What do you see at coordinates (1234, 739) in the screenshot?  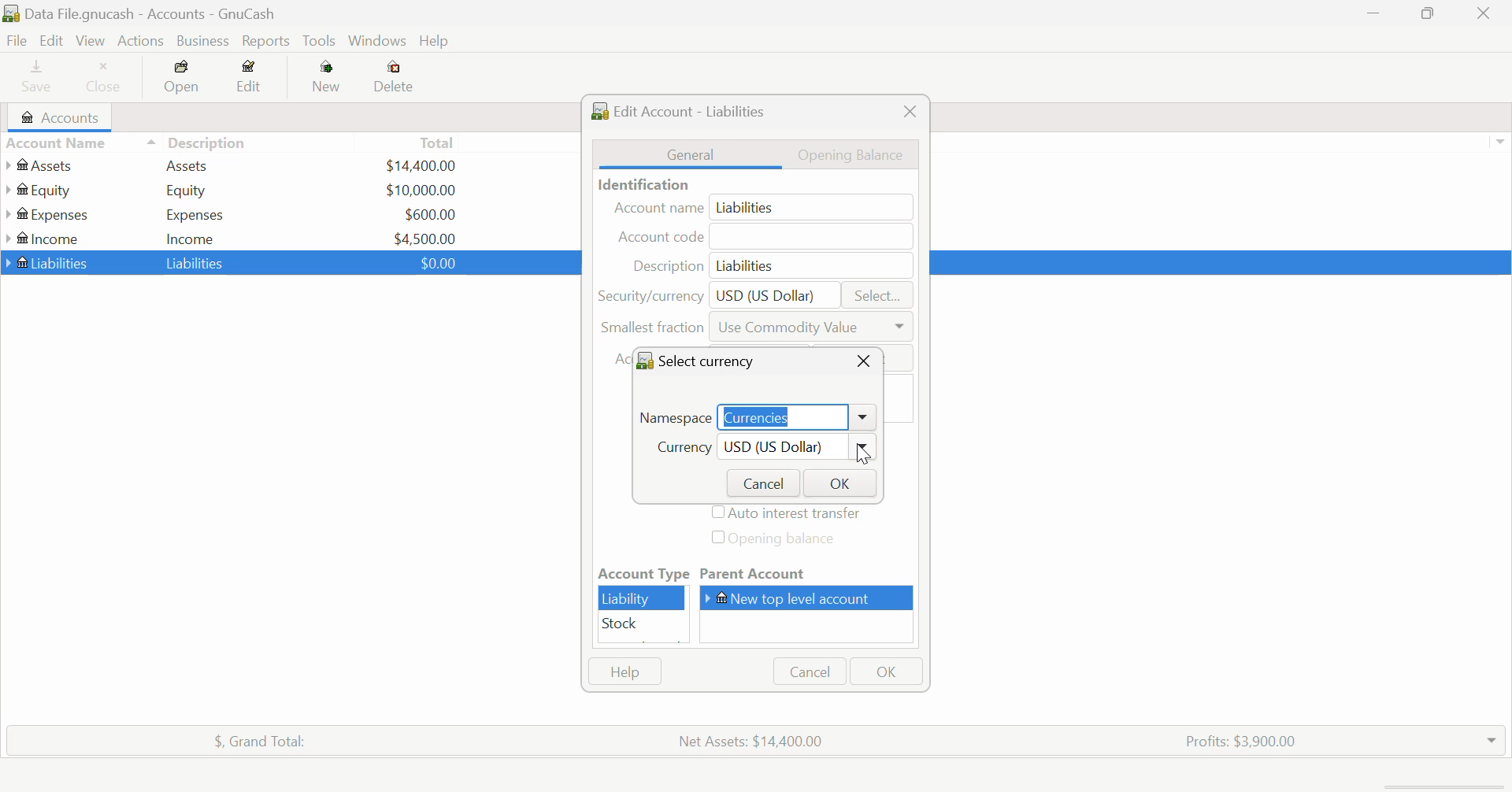 I see `Profits` at bounding box center [1234, 739].